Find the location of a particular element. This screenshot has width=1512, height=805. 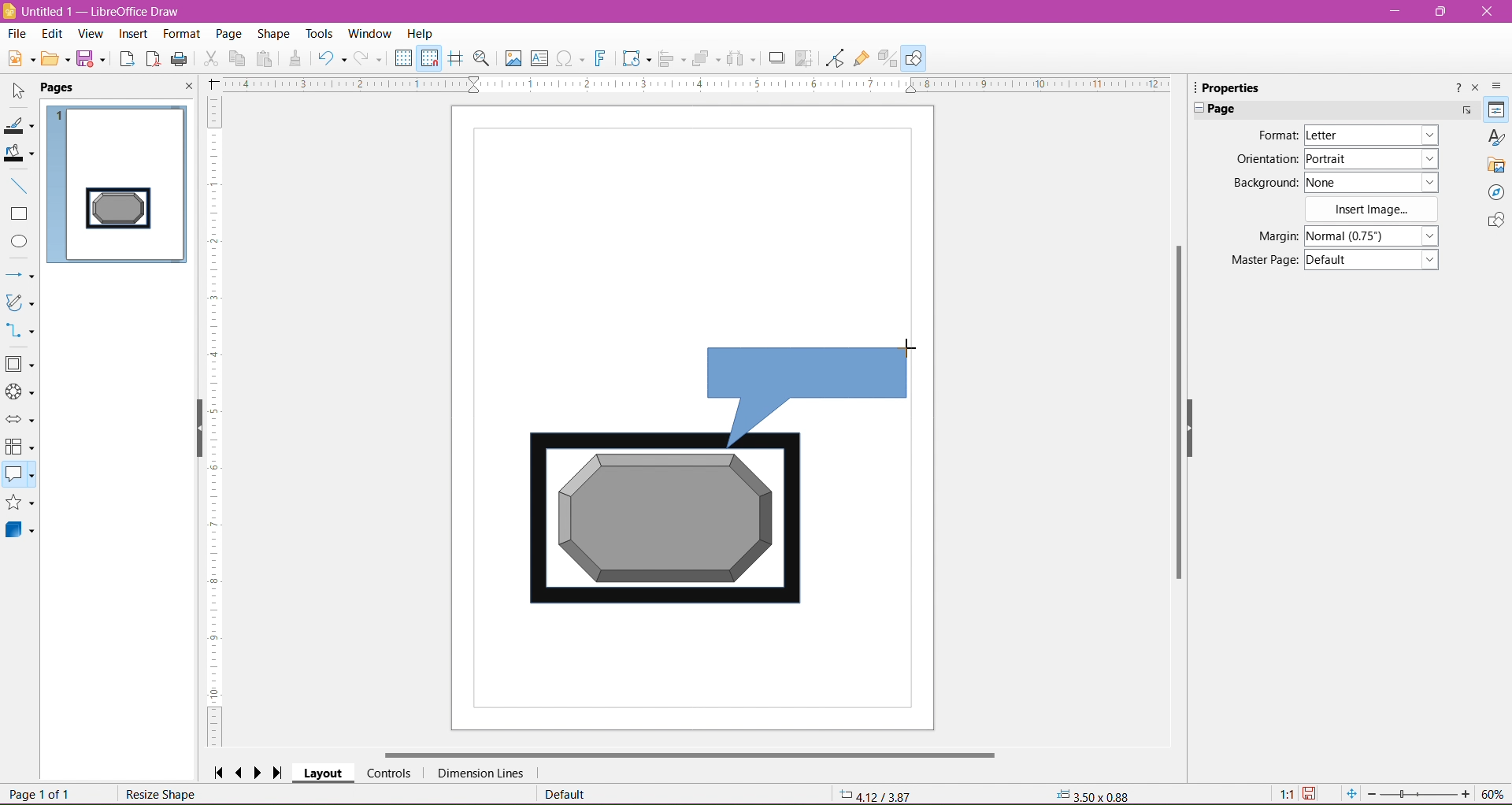

Master Page is located at coordinates (1259, 261).